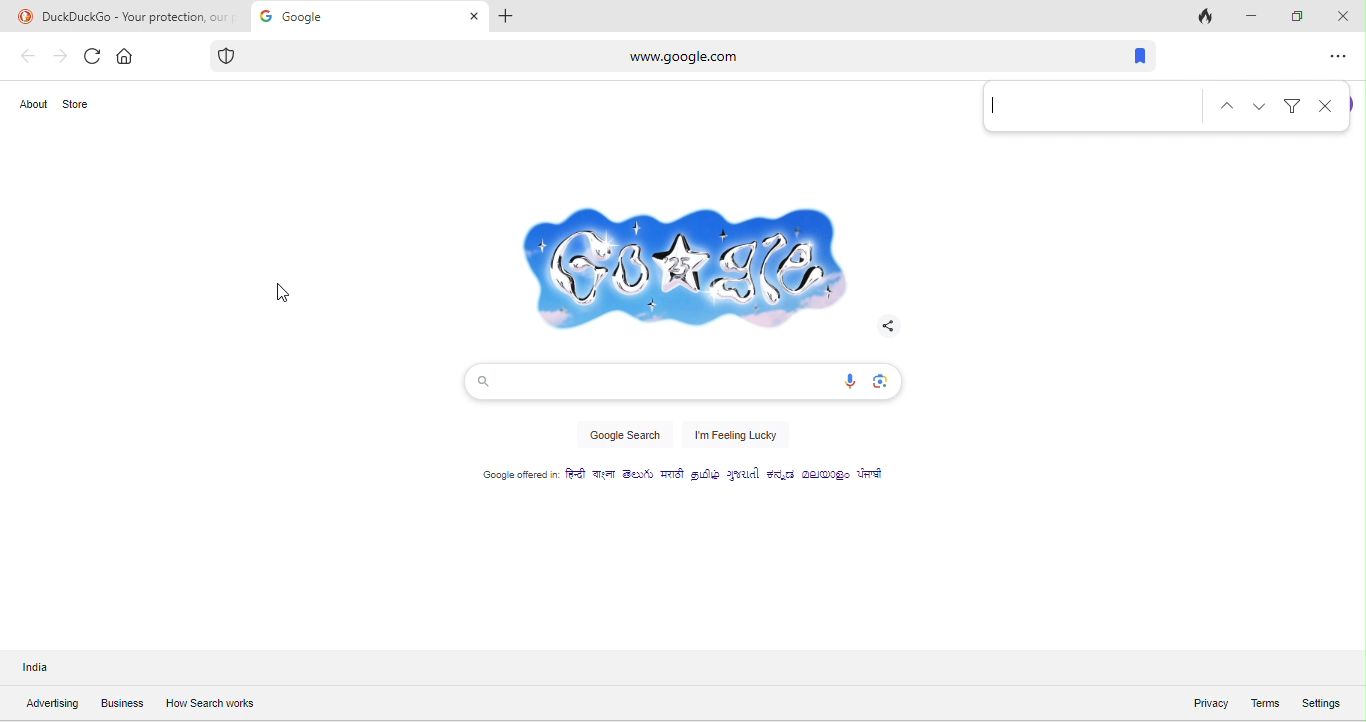 The image size is (1366, 722). What do you see at coordinates (1229, 105) in the screenshot?
I see `Navigate Up` at bounding box center [1229, 105].